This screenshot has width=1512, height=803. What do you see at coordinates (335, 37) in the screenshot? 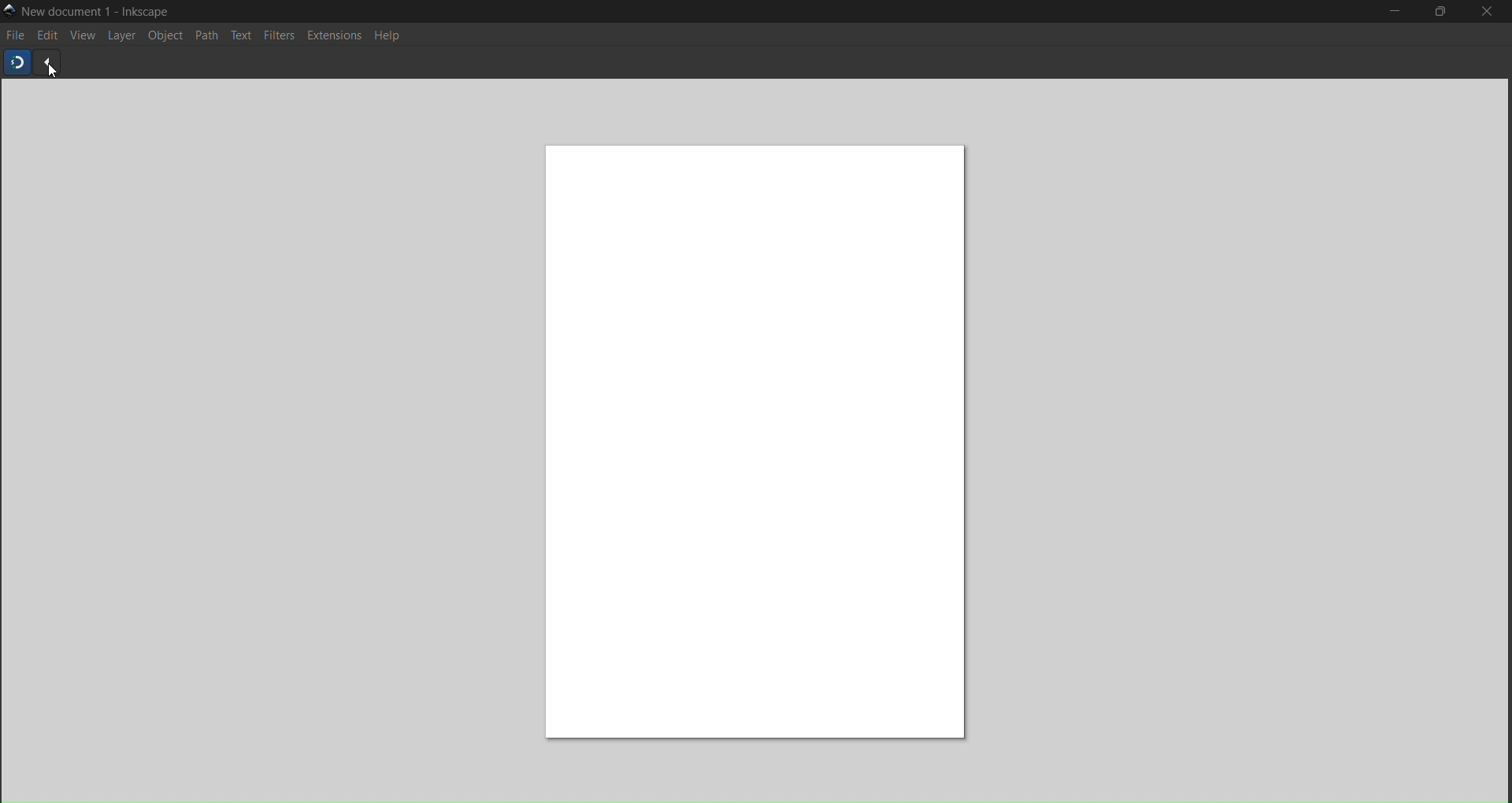
I see `Extensions` at bounding box center [335, 37].